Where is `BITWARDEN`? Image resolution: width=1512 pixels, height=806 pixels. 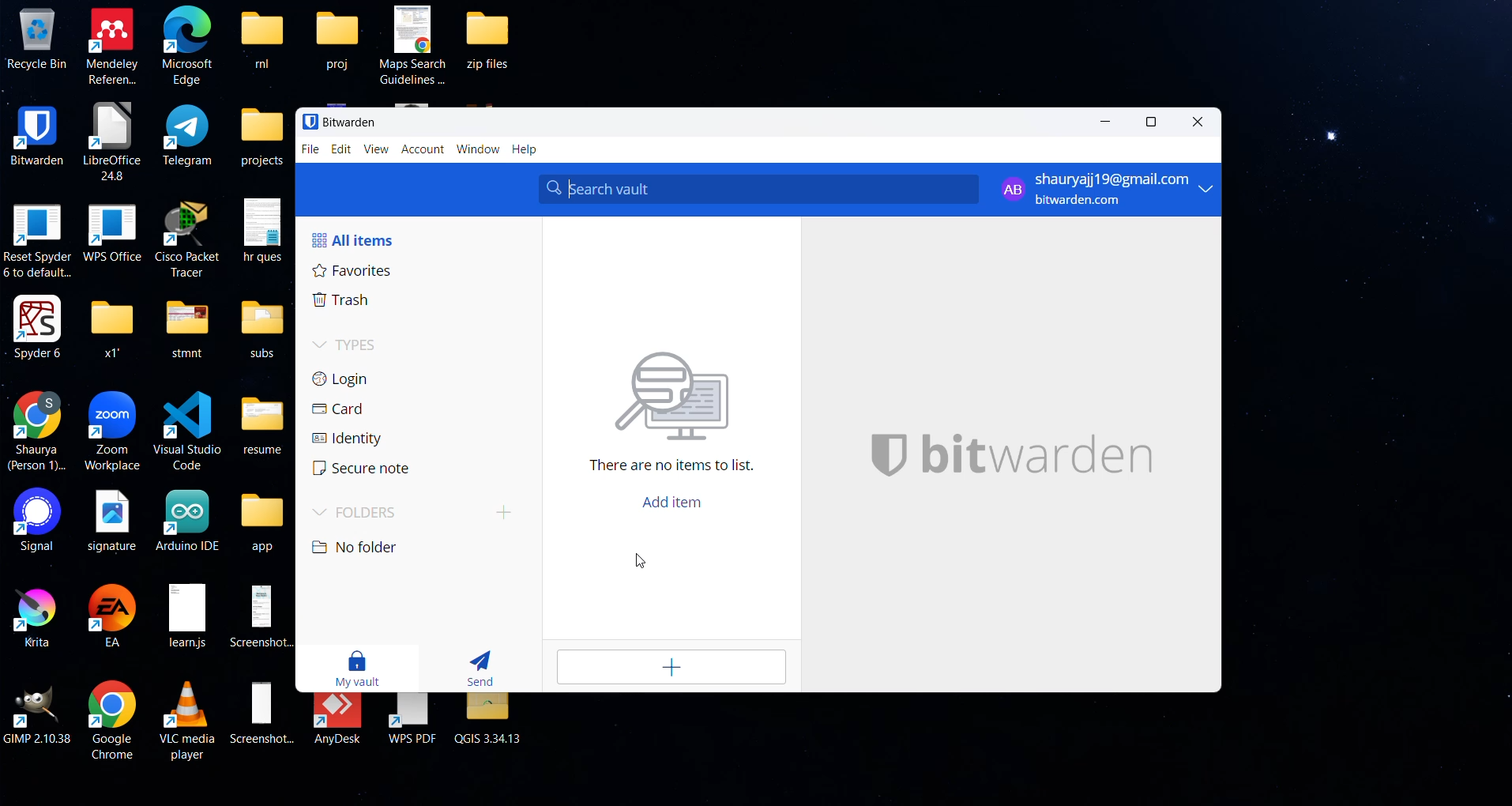
BITWARDEN is located at coordinates (36, 133).